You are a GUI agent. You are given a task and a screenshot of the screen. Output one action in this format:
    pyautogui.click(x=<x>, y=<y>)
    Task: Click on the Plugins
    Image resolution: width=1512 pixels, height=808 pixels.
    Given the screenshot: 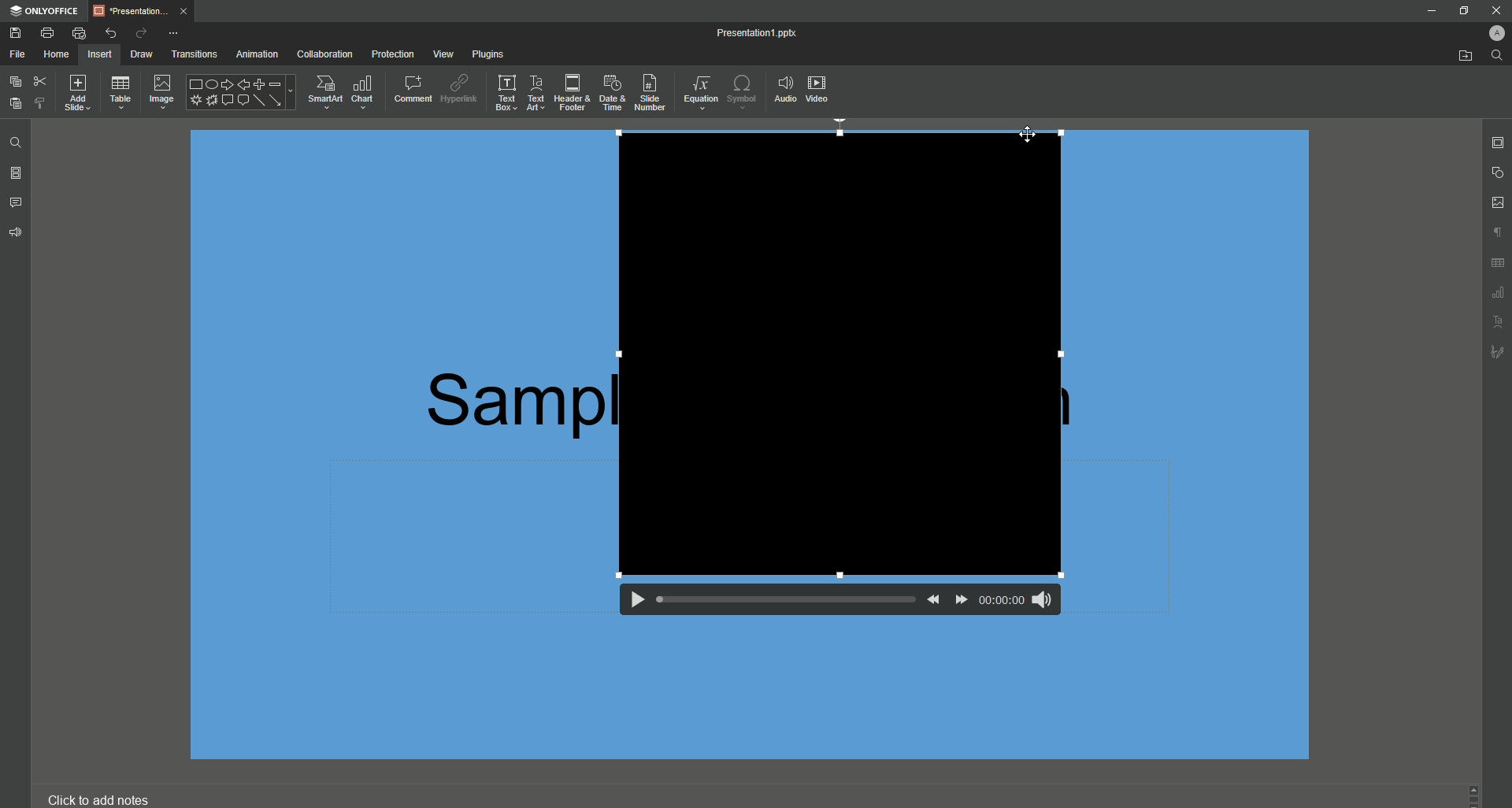 What is the action you would take?
    pyautogui.click(x=487, y=53)
    